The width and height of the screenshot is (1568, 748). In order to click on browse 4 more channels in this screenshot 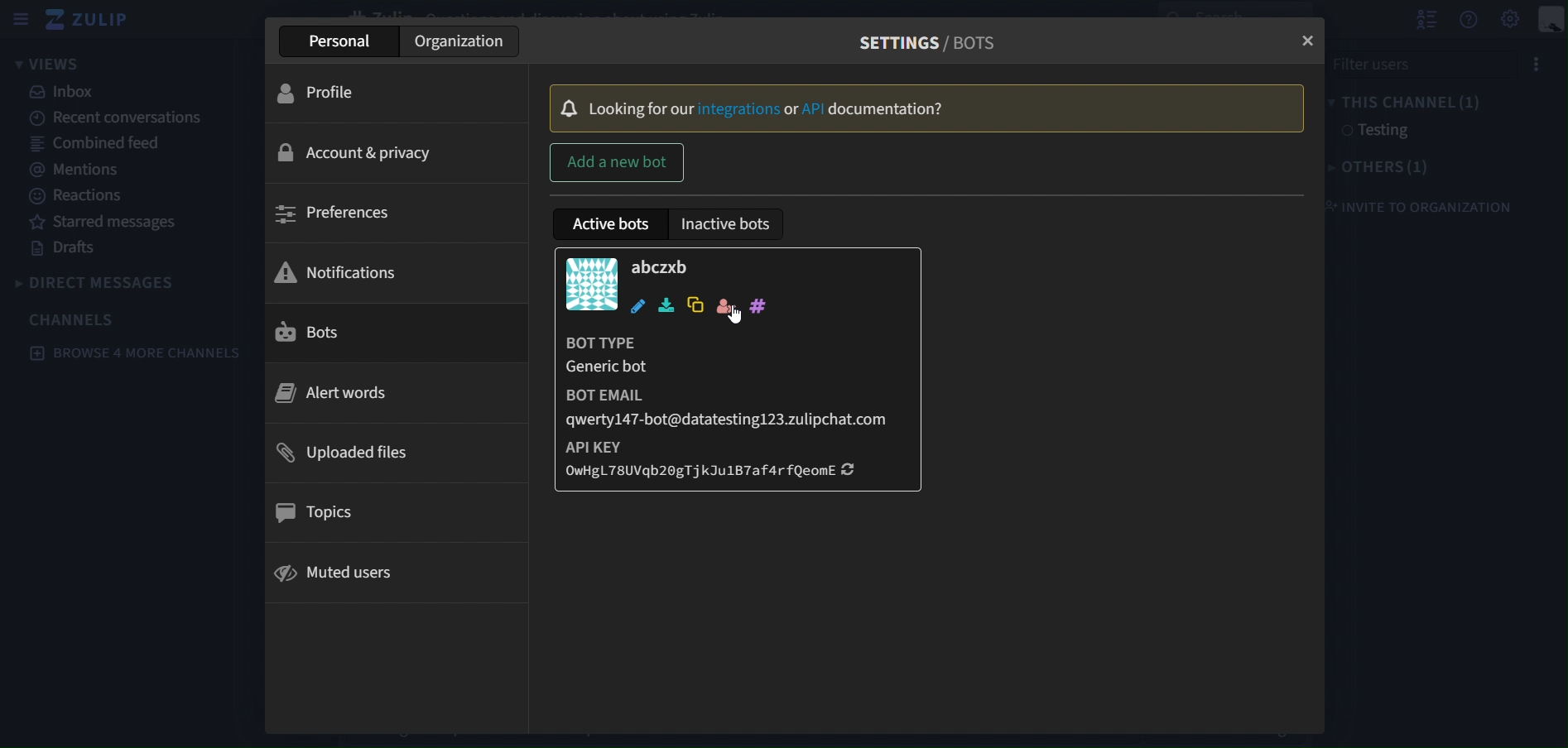, I will do `click(132, 353)`.